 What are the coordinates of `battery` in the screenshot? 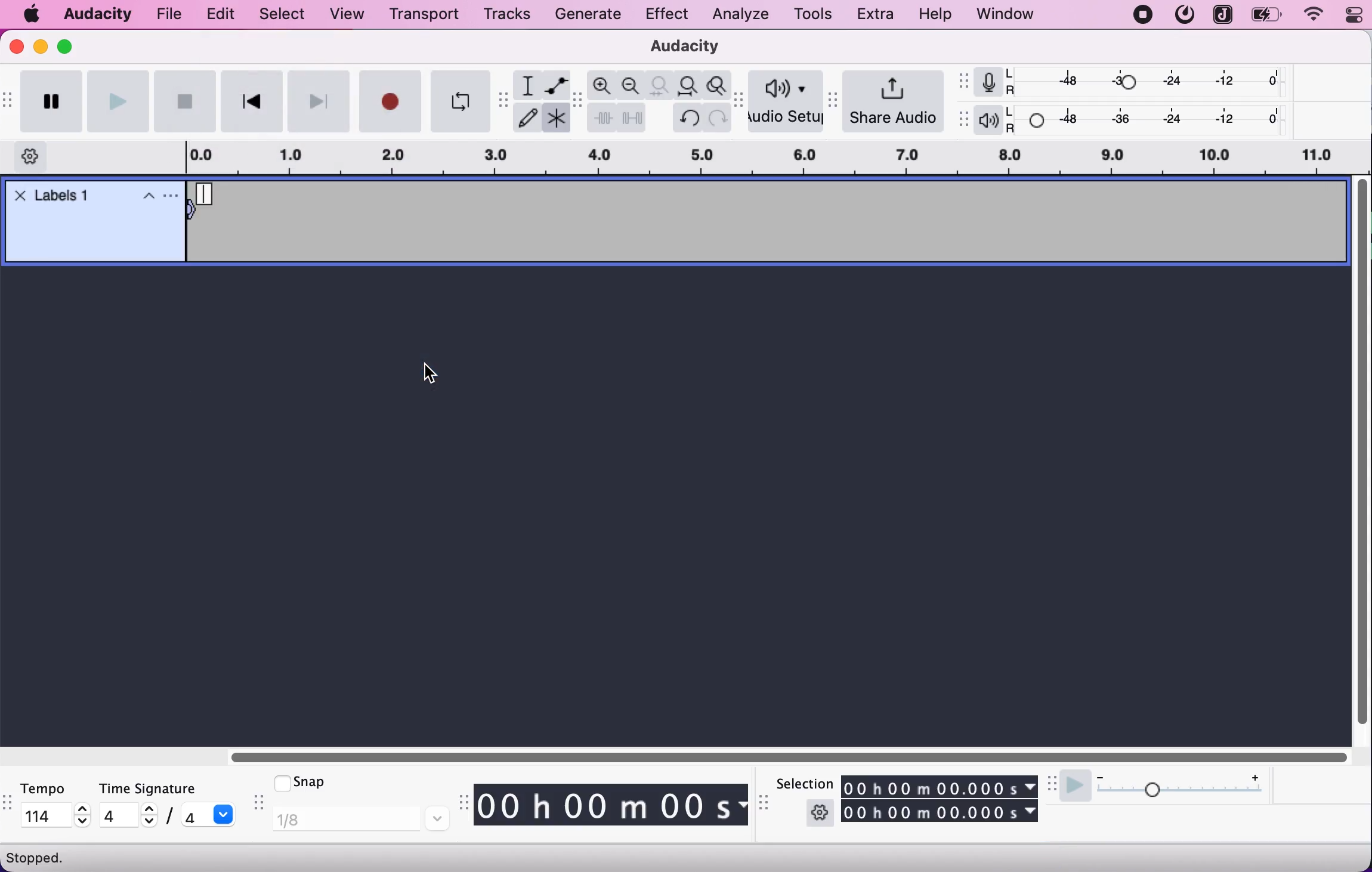 It's located at (1268, 15).